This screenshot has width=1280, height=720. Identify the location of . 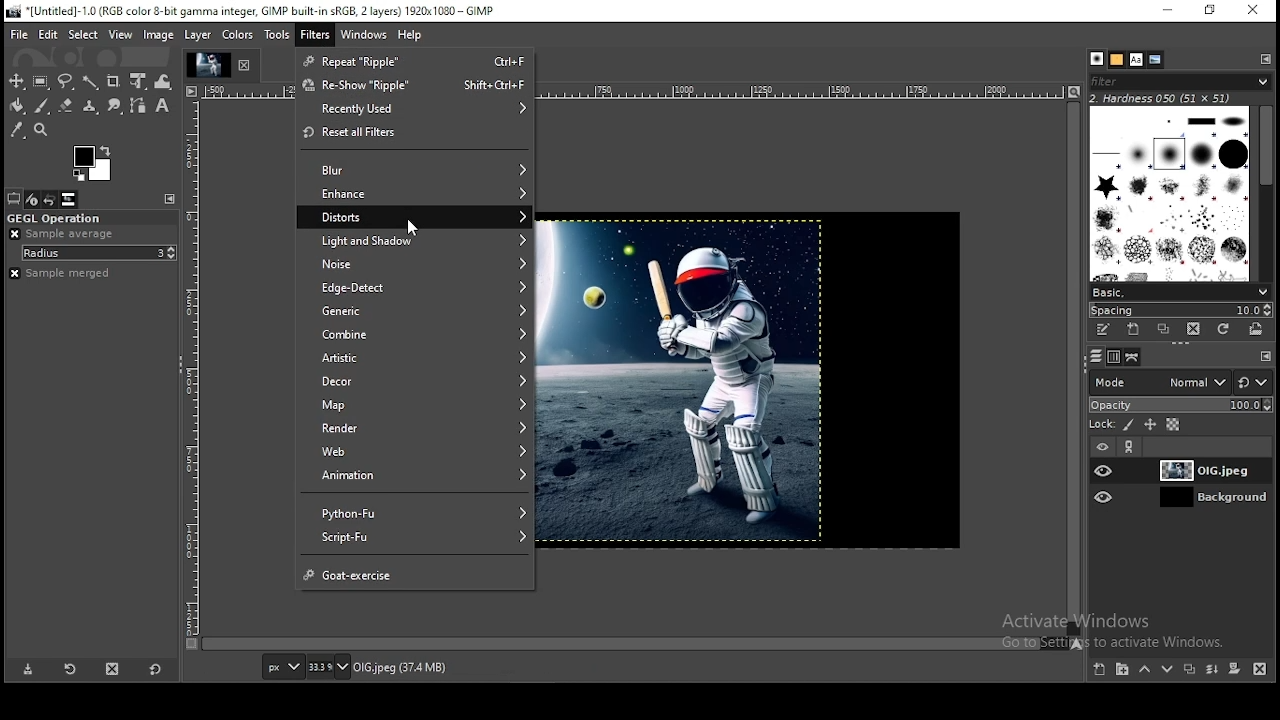
(91, 82).